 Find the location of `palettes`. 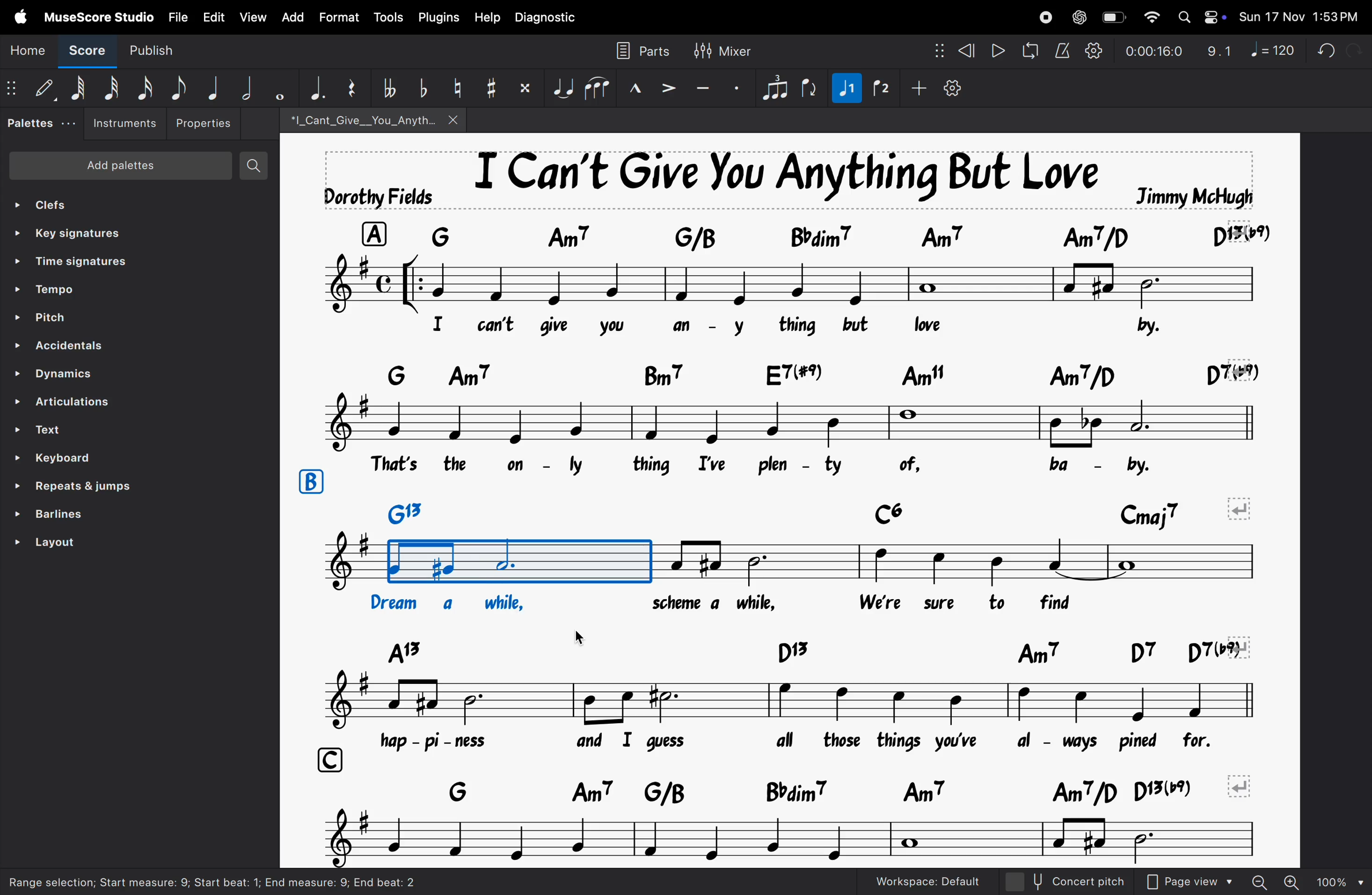

palettes is located at coordinates (37, 125).